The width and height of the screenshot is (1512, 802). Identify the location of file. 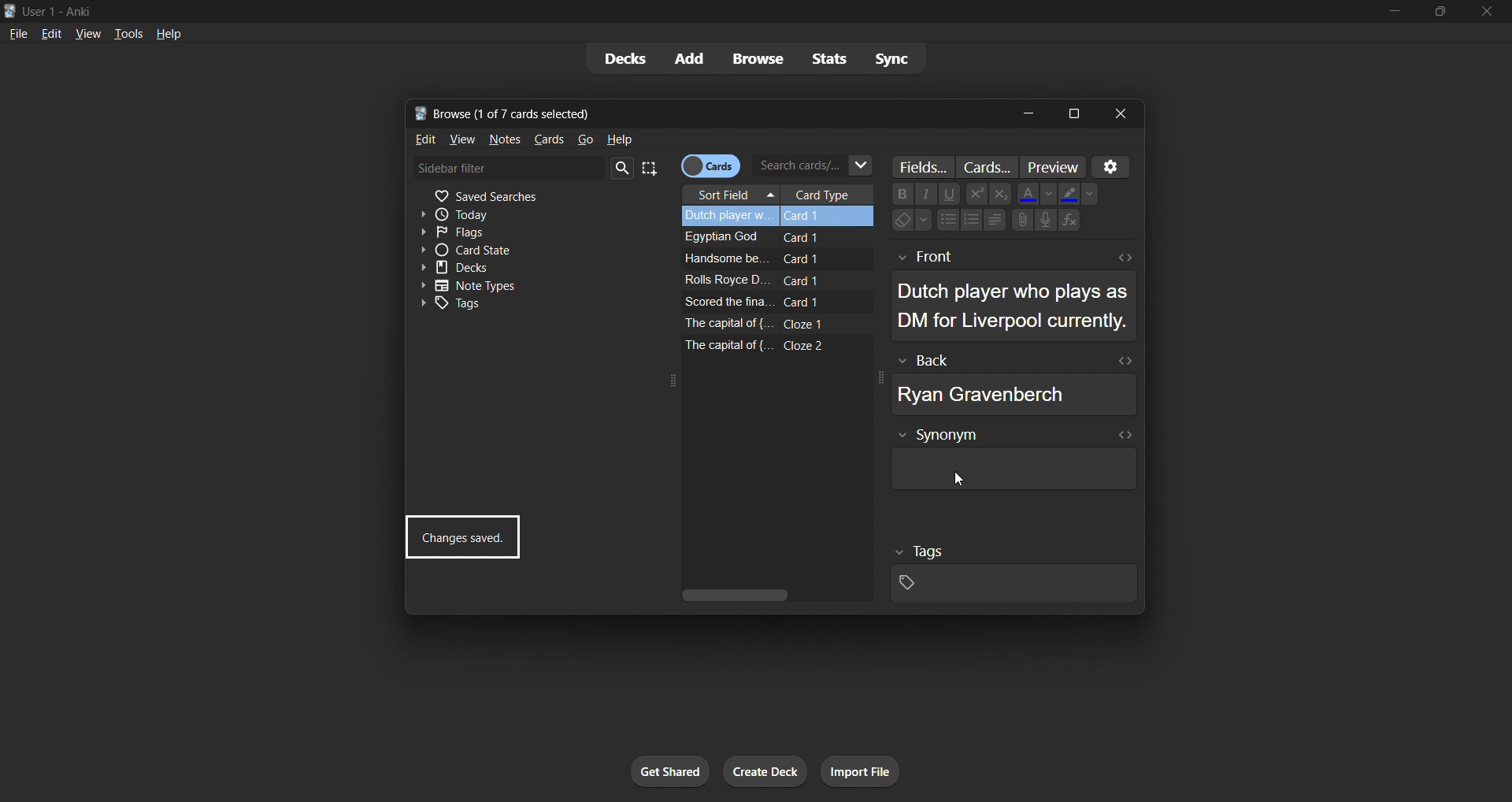
(17, 34).